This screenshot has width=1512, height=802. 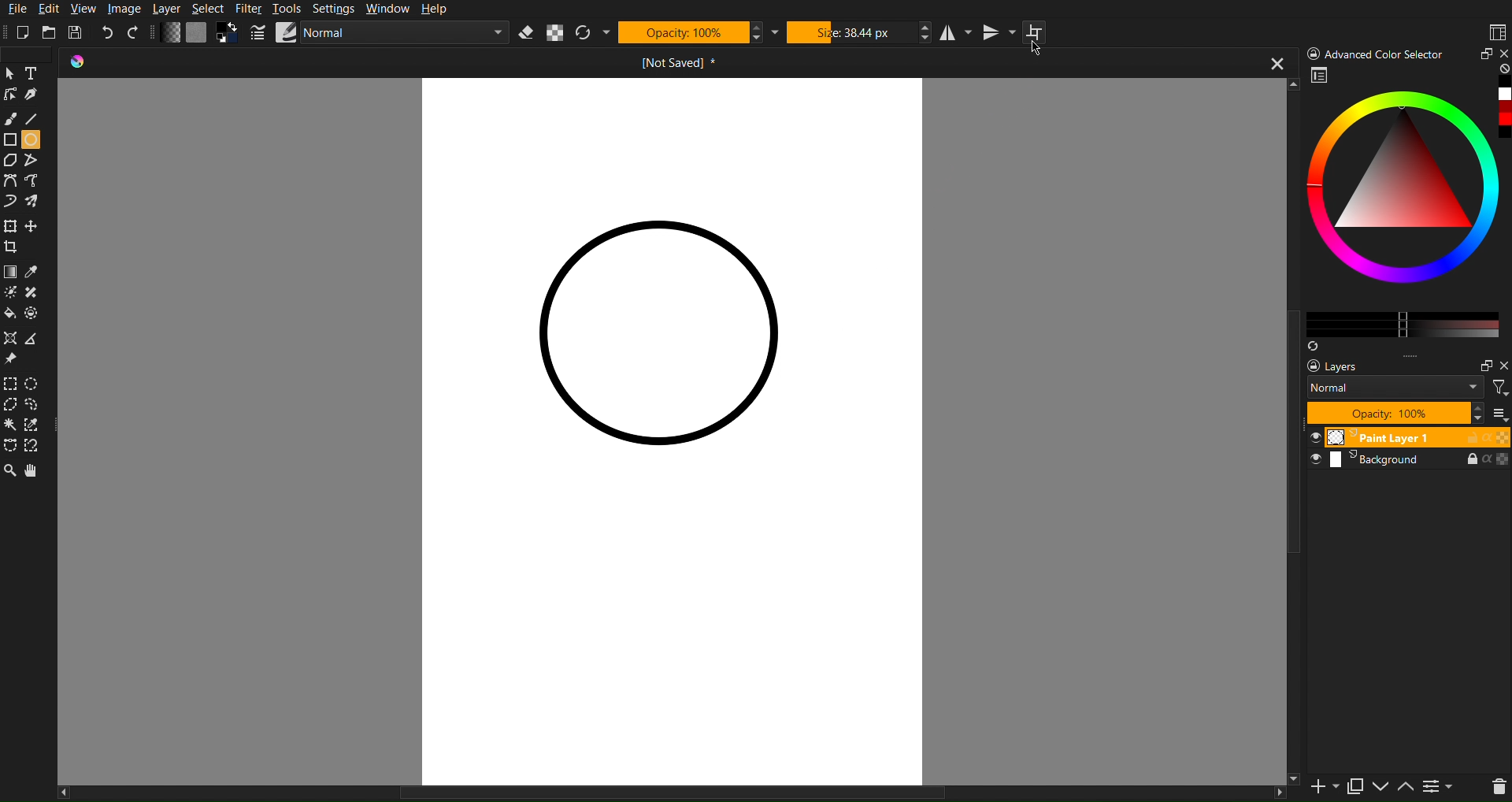 What do you see at coordinates (1412, 355) in the screenshot?
I see `more` at bounding box center [1412, 355].